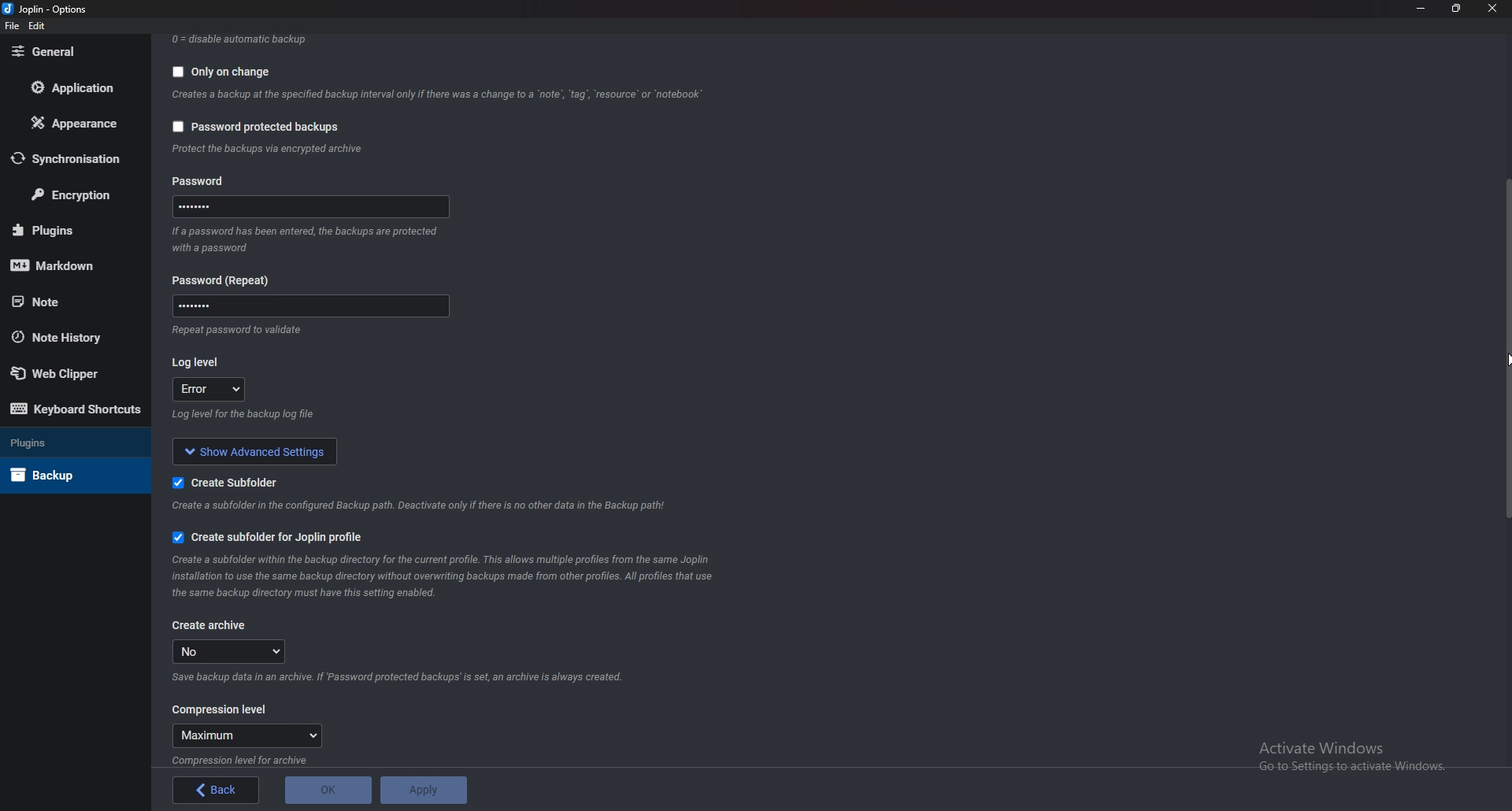 The width and height of the screenshot is (1512, 811). I want to click on Note history, so click(67, 339).